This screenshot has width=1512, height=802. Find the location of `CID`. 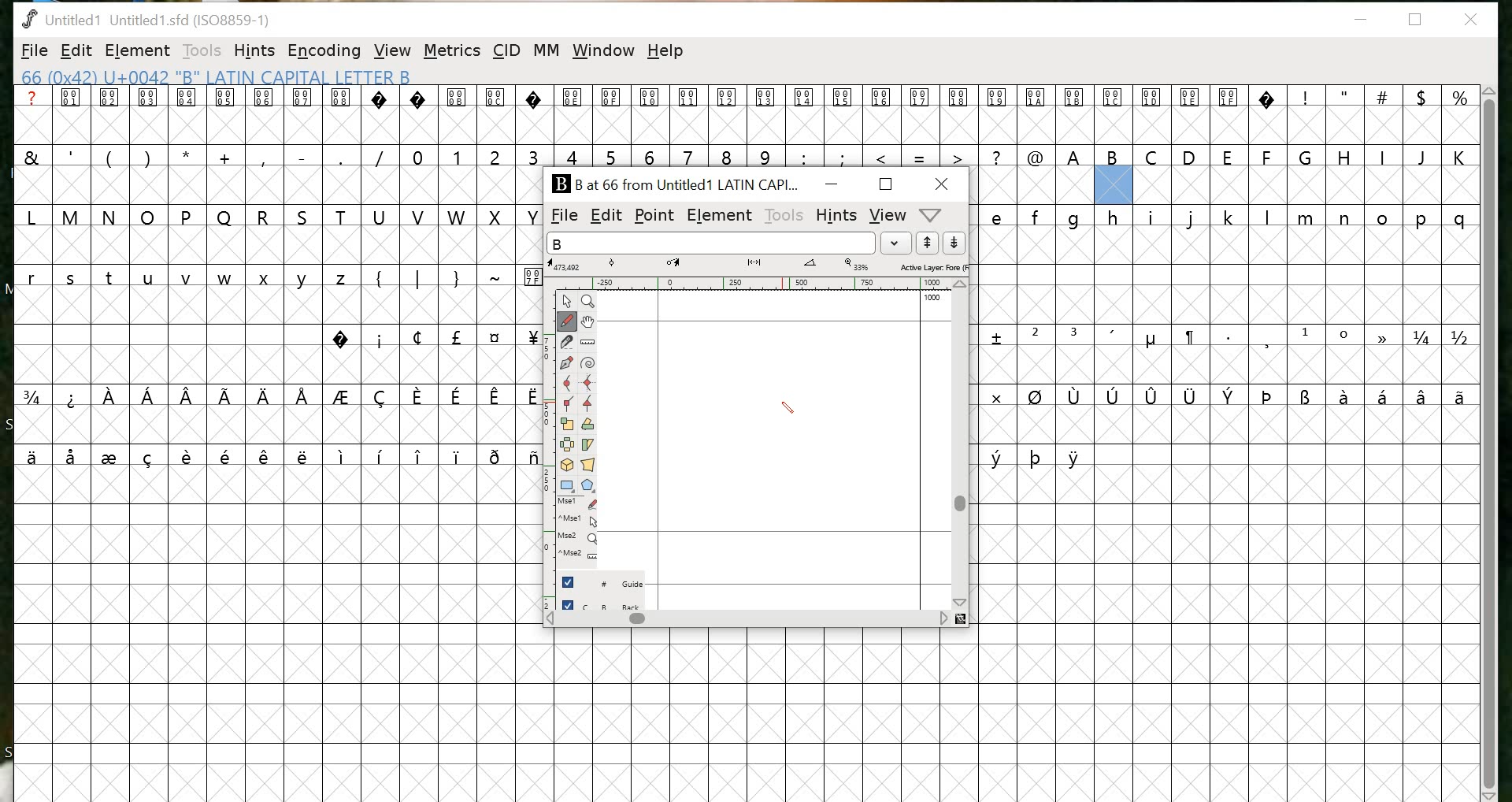

CID is located at coordinates (506, 51).